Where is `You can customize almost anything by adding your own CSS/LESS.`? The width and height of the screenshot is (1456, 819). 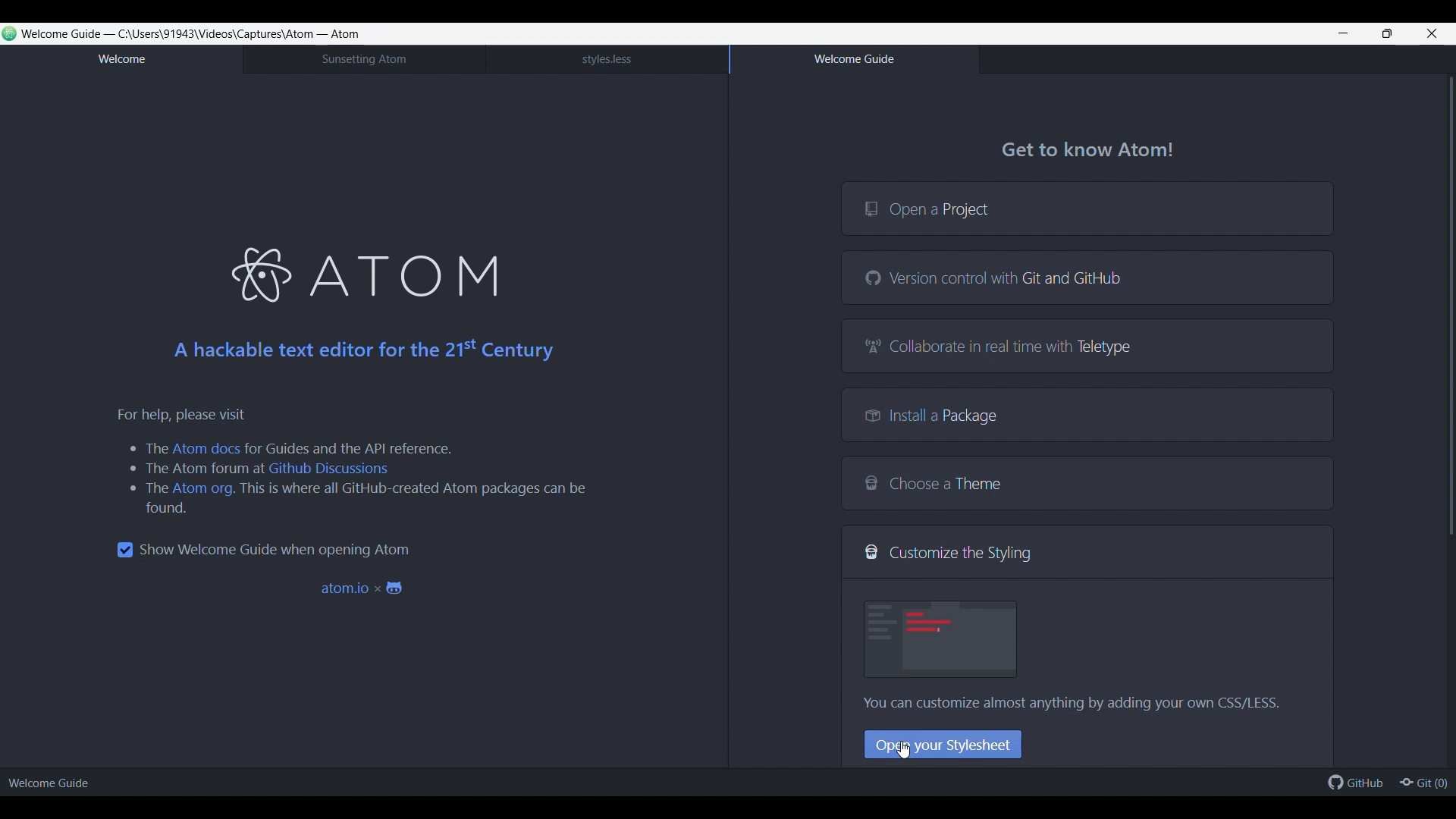 You can customize almost anything by adding your own CSS/LESS. is located at coordinates (1072, 709).